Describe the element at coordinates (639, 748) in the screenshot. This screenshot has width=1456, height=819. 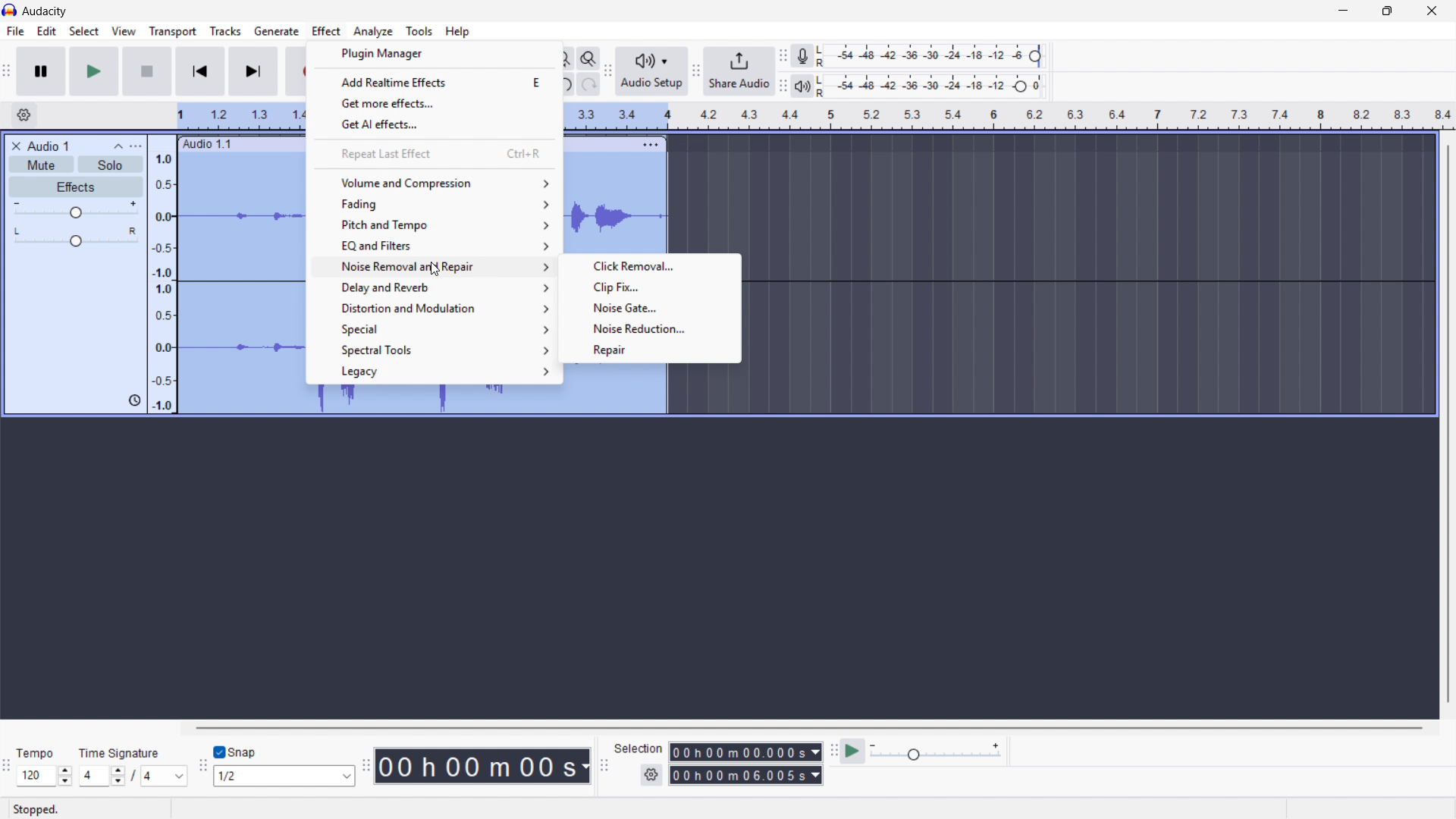
I see `selection` at that location.